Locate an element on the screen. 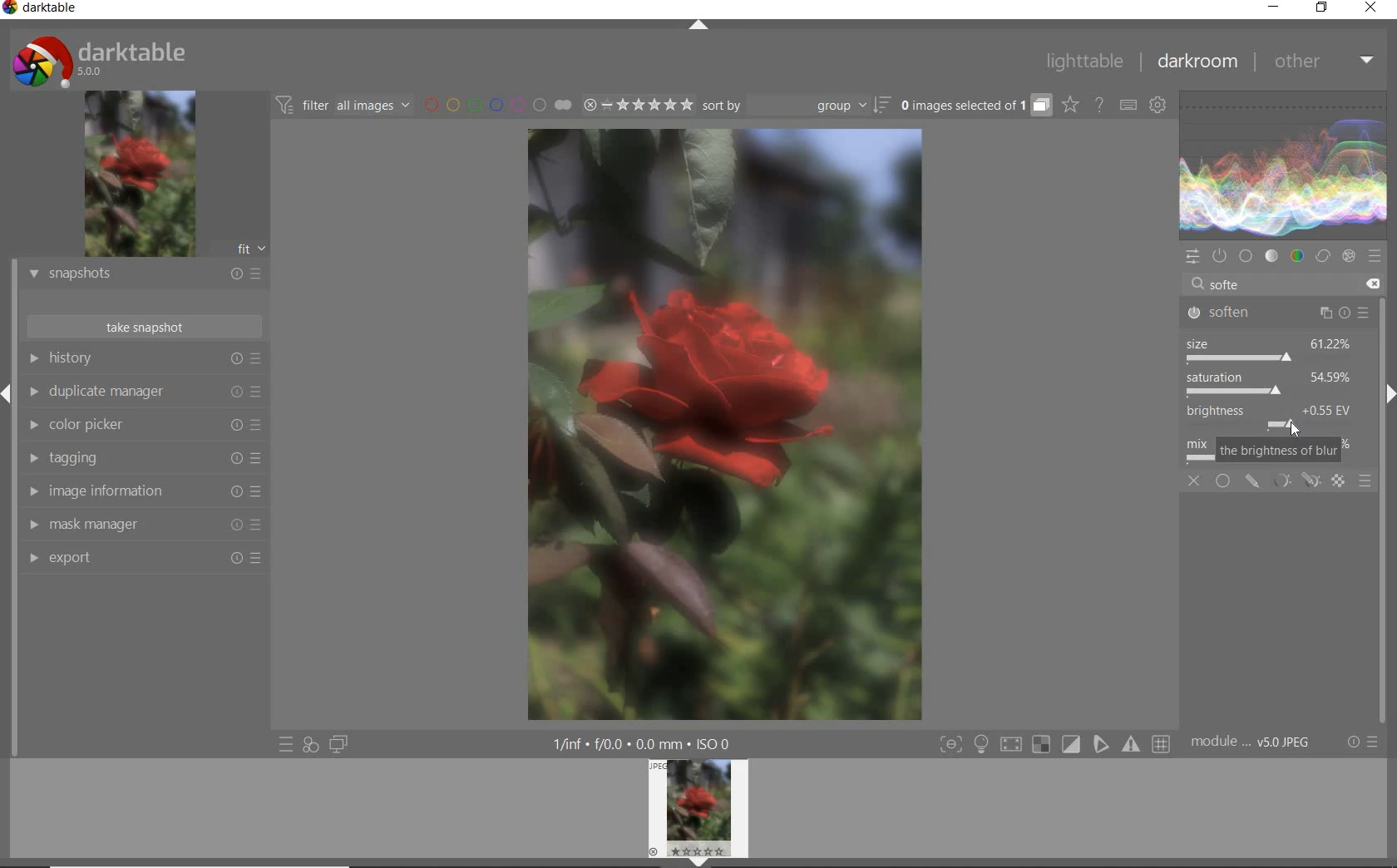  history is located at coordinates (142, 360).